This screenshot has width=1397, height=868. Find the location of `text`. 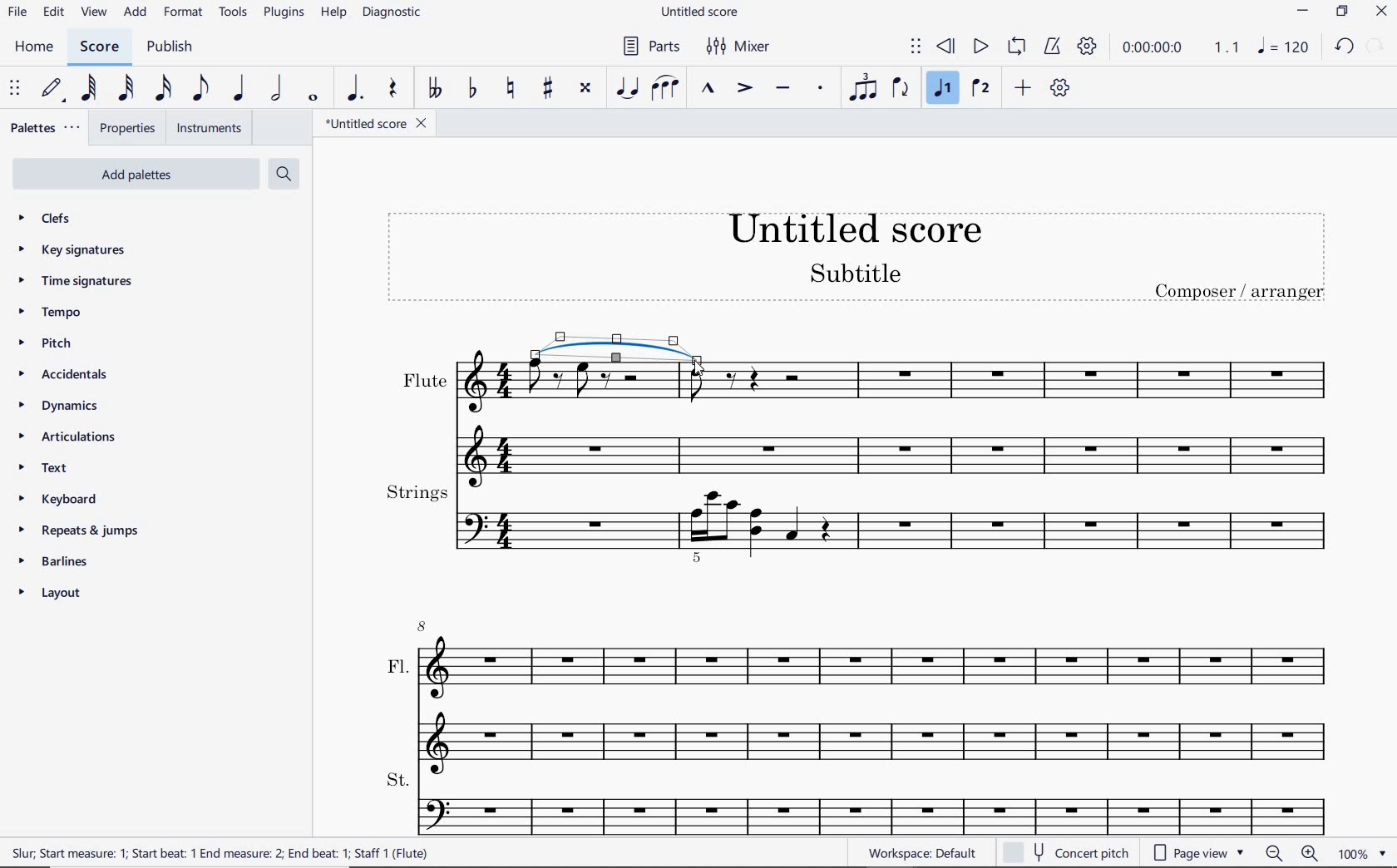

text is located at coordinates (42, 470).